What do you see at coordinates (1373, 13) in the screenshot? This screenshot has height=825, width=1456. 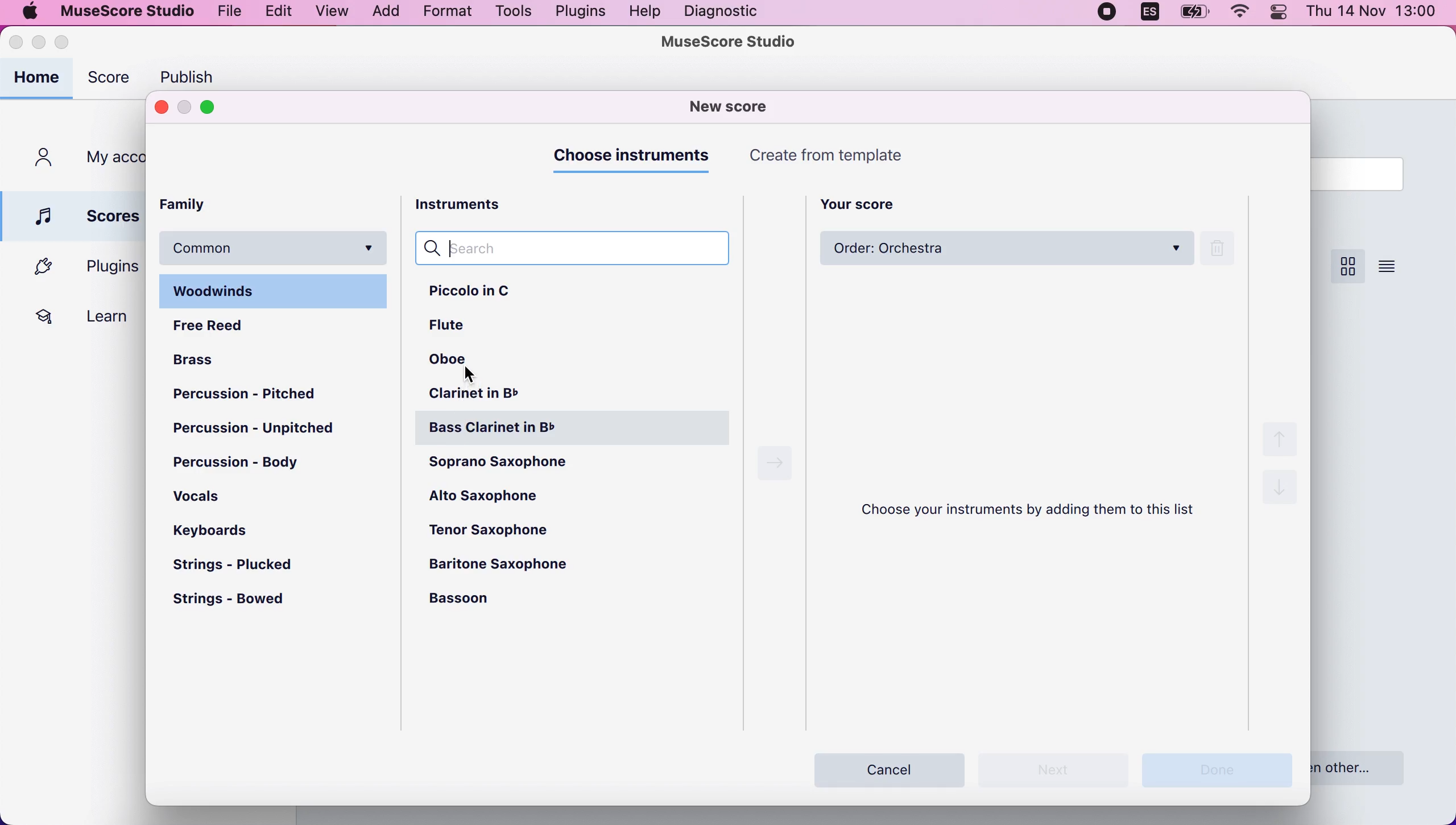 I see `thu 14 nov 13:00` at bounding box center [1373, 13].